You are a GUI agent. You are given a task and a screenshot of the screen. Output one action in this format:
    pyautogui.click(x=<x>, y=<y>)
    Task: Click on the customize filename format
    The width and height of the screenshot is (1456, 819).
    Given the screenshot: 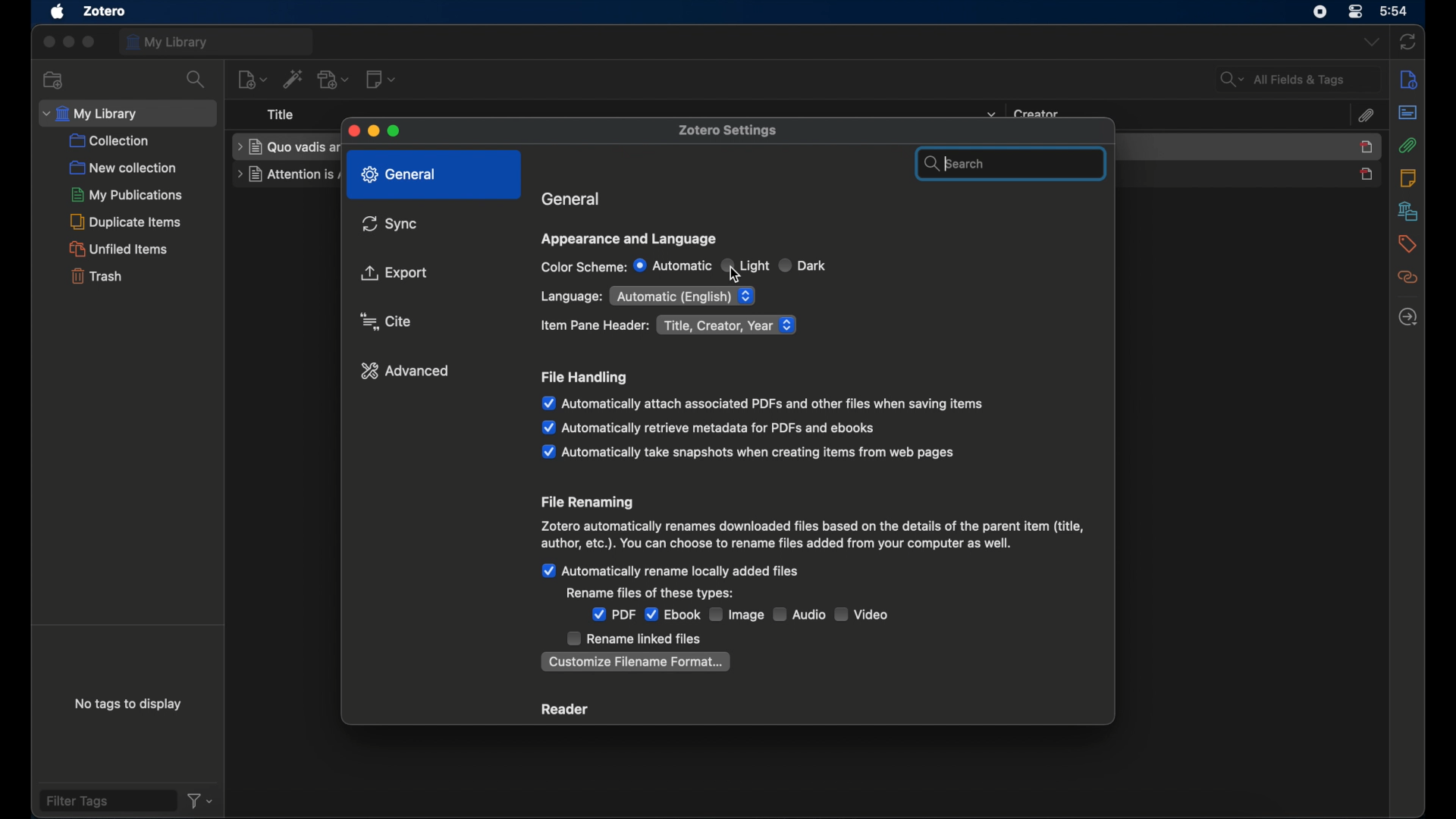 What is the action you would take?
    pyautogui.click(x=634, y=663)
    